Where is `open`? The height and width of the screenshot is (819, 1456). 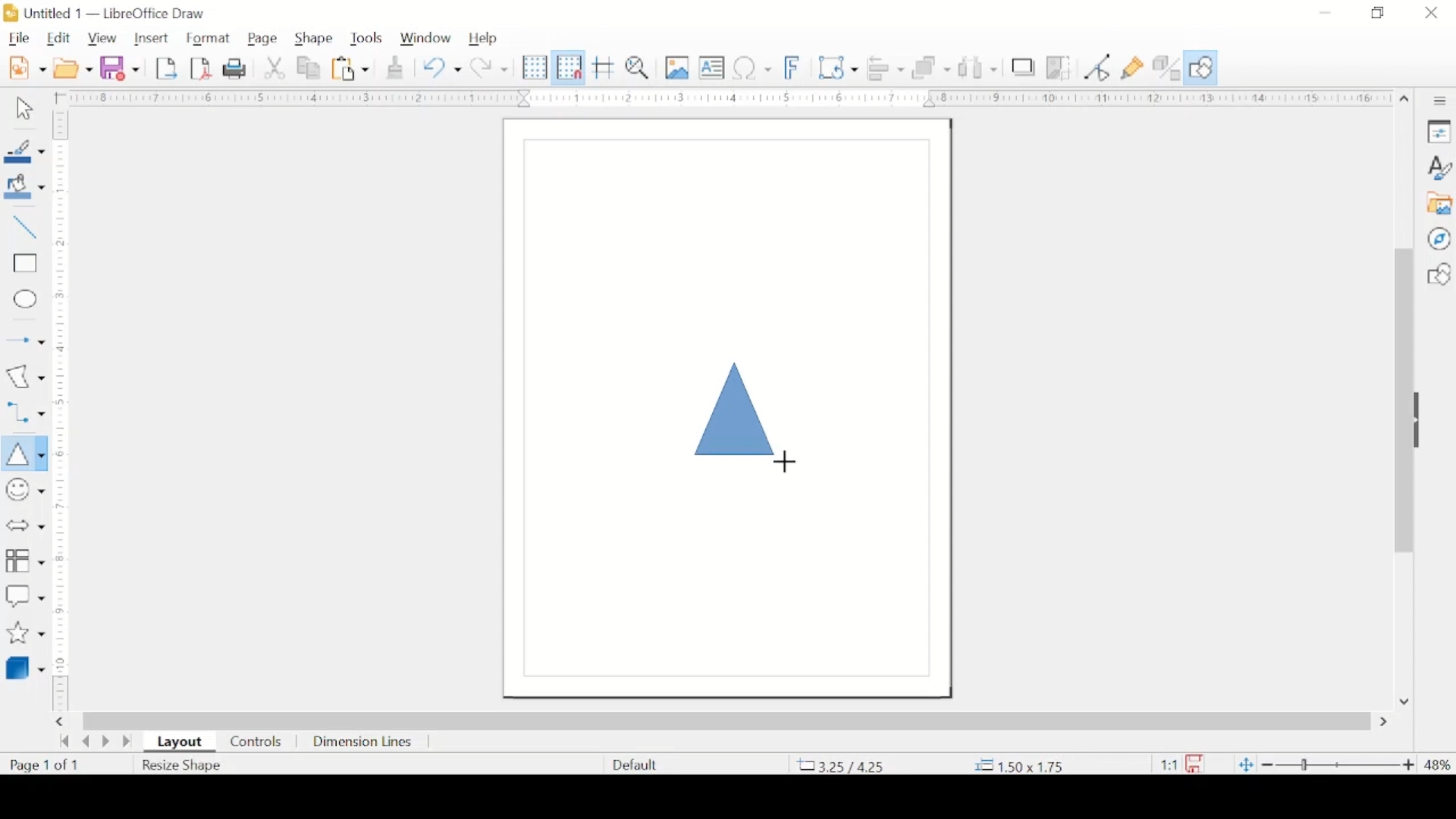
open is located at coordinates (73, 68).